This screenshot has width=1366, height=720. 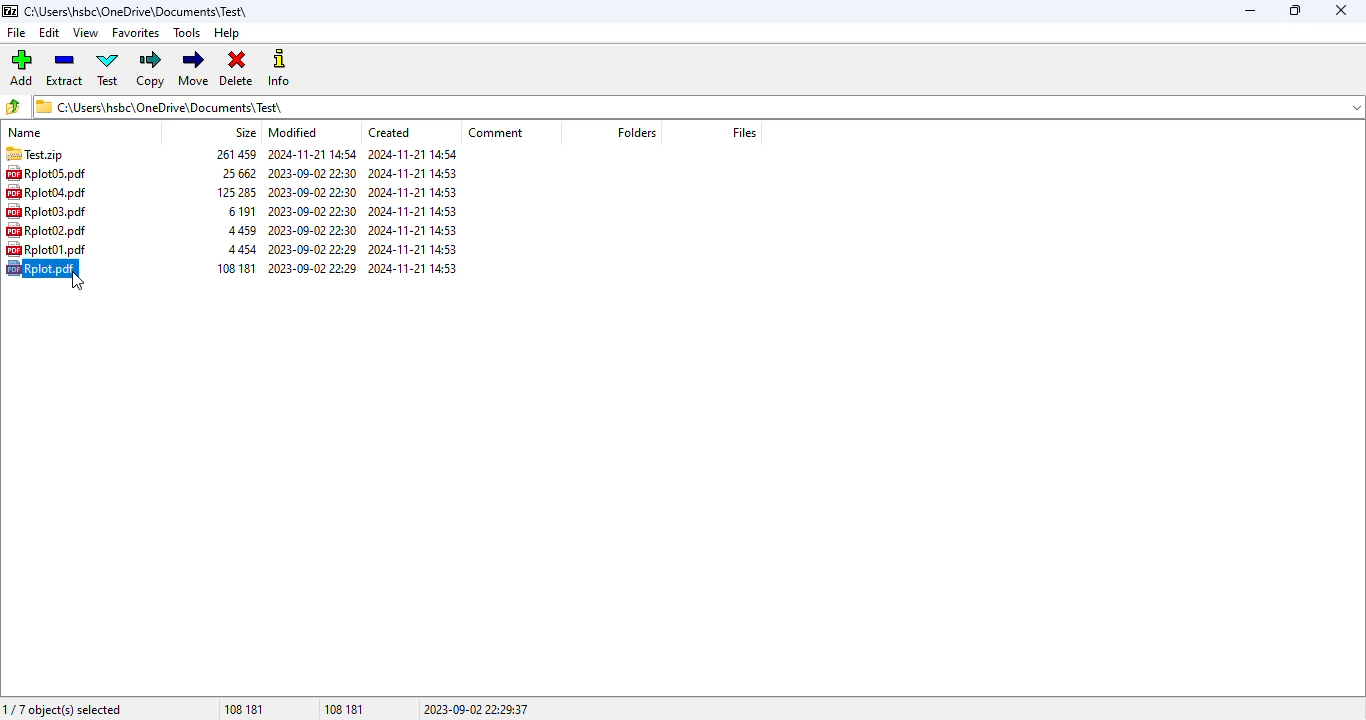 What do you see at coordinates (246, 133) in the screenshot?
I see `size` at bounding box center [246, 133].